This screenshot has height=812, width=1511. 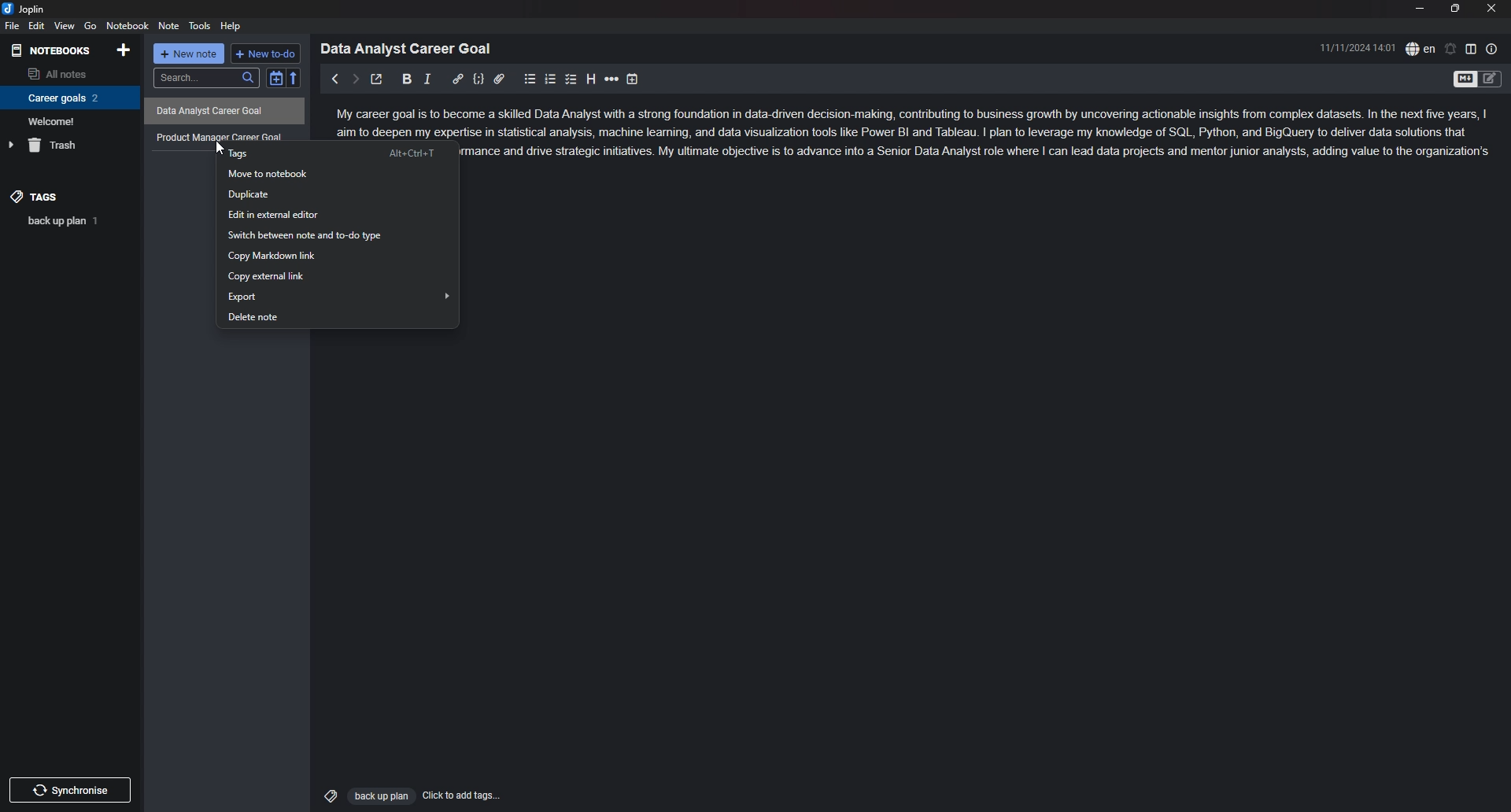 I want to click on + new note, so click(x=189, y=54).